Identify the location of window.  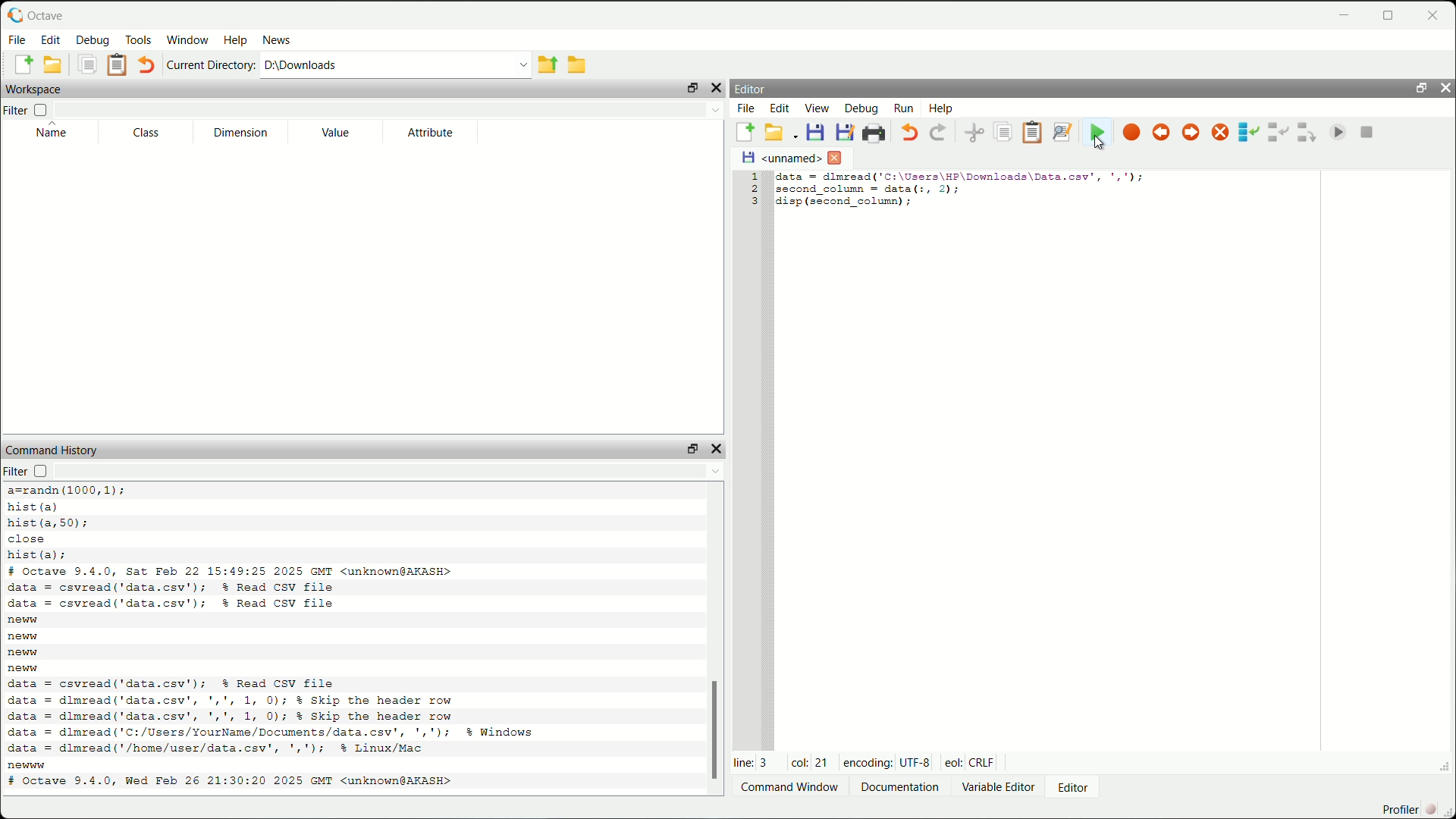
(188, 40).